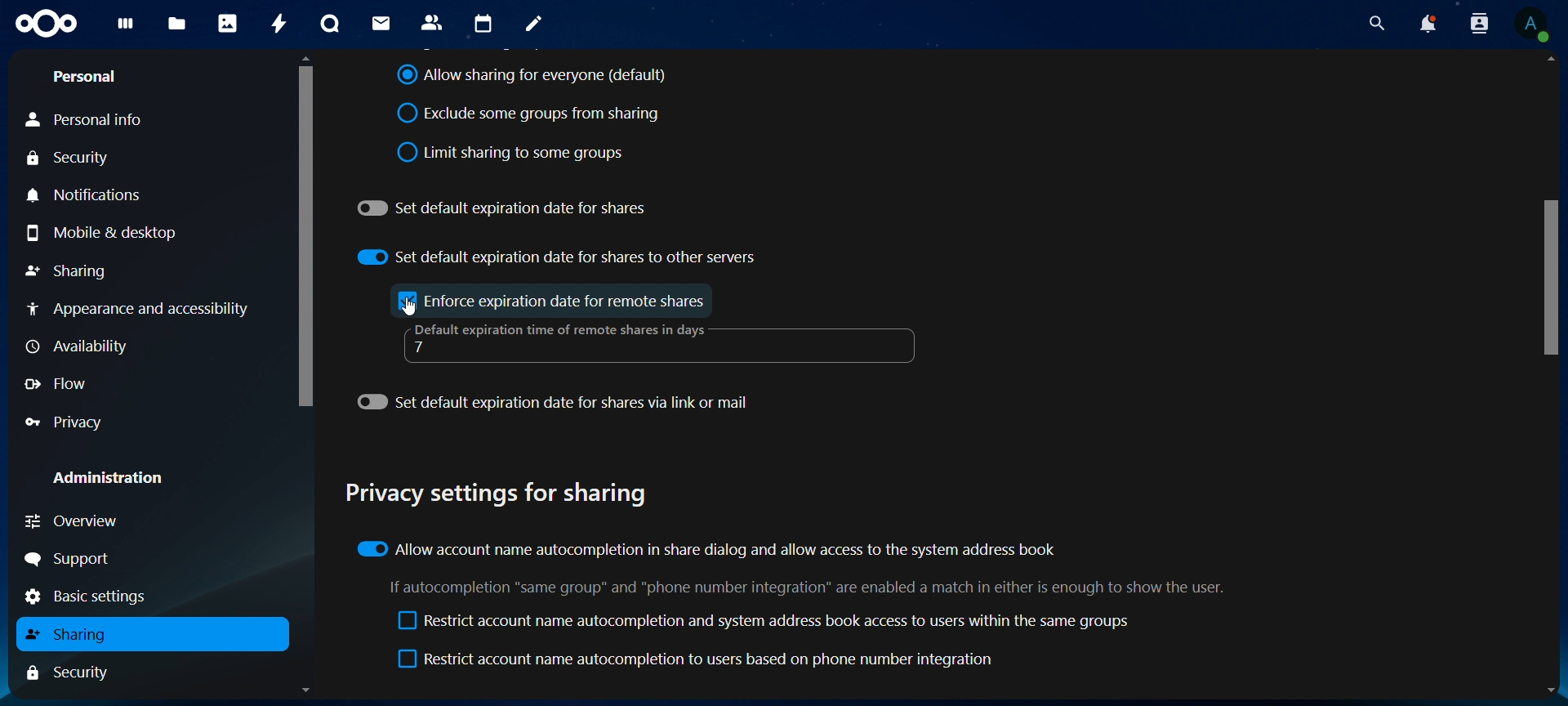  Describe the element at coordinates (112, 476) in the screenshot. I see `administration` at that location.